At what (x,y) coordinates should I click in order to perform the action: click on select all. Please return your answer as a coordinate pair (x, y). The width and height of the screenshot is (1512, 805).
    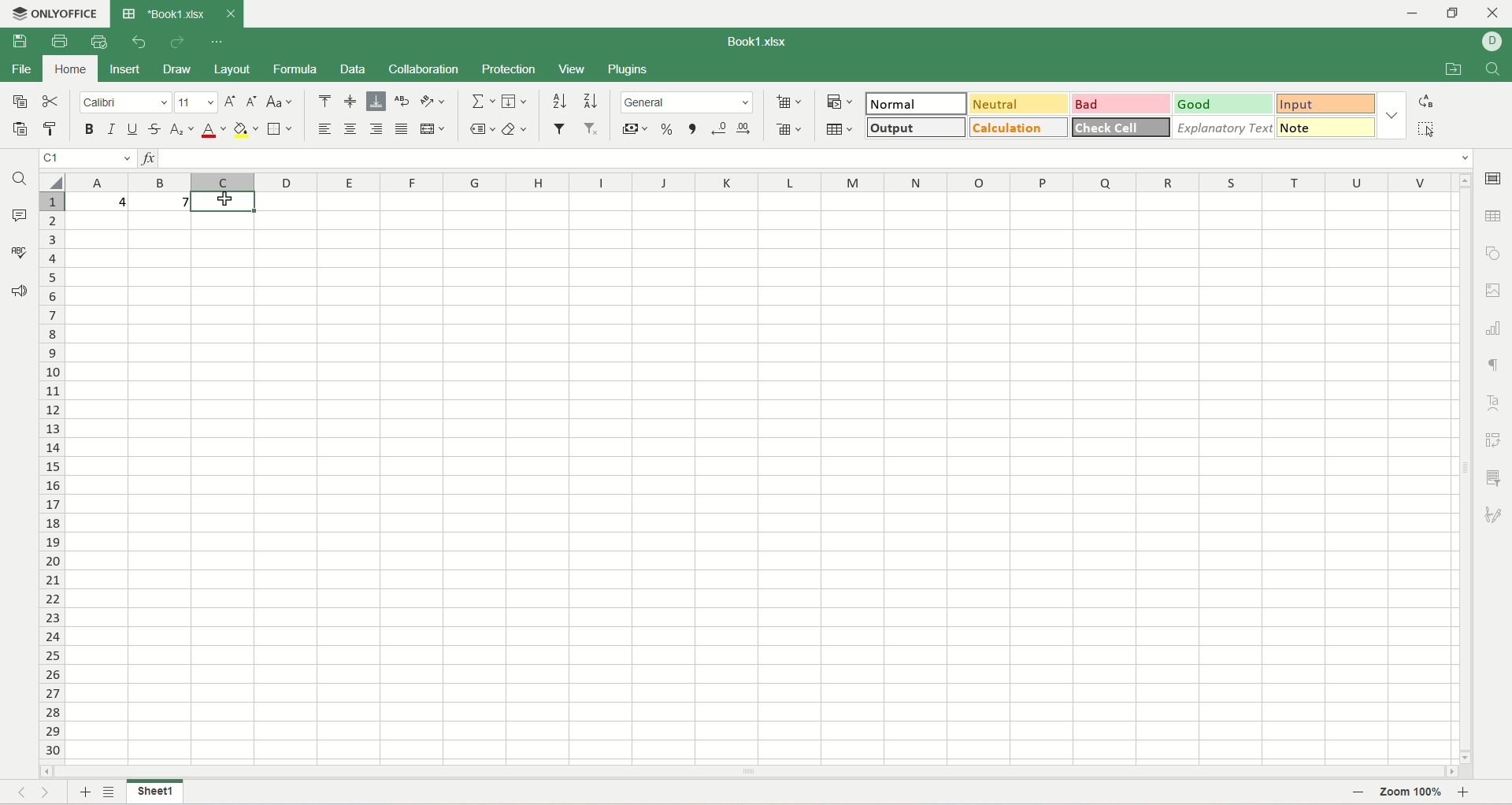
    Looking at the image, I should click on (54, 181).